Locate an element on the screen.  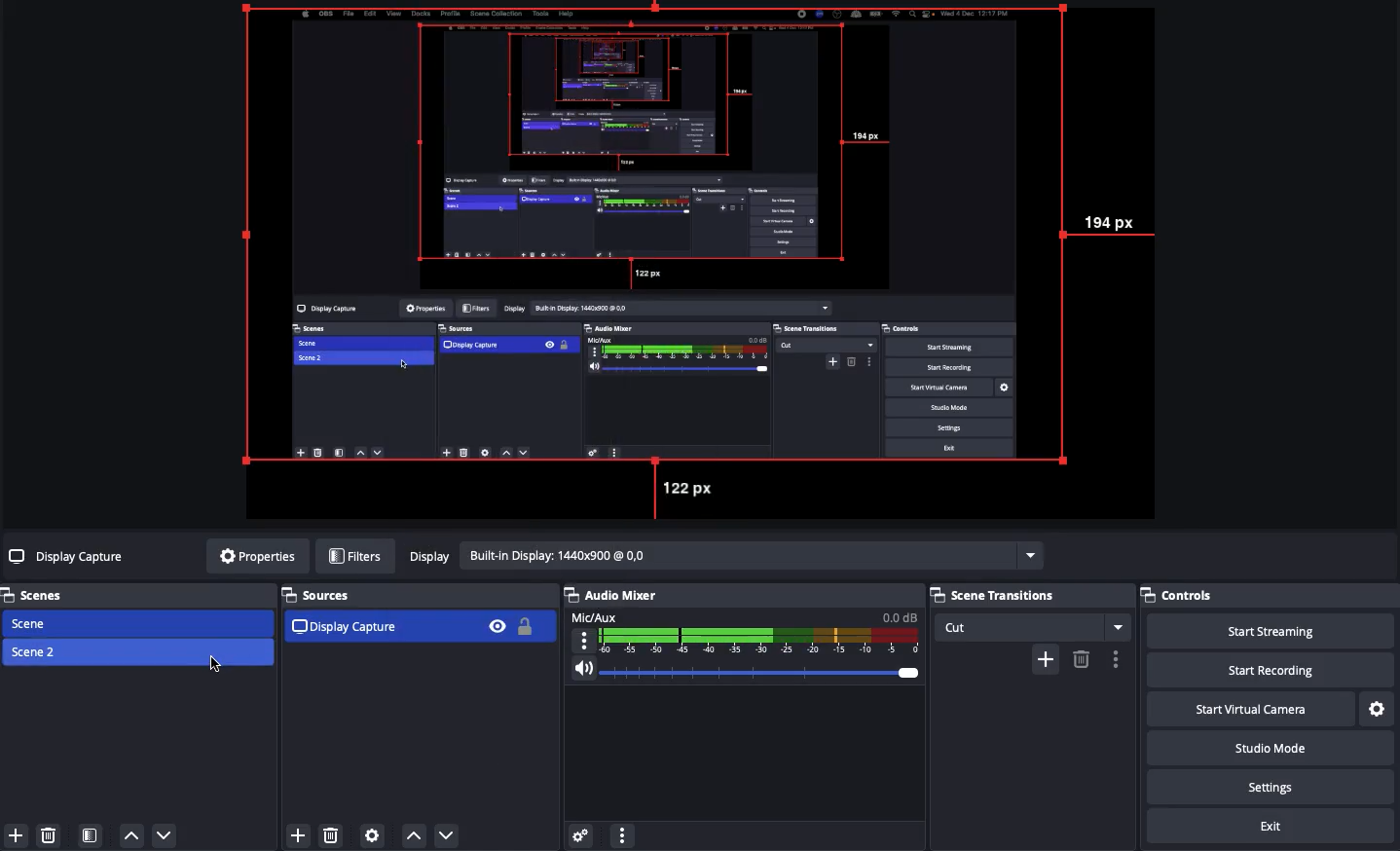
Add is located at coordinates (18, 834).